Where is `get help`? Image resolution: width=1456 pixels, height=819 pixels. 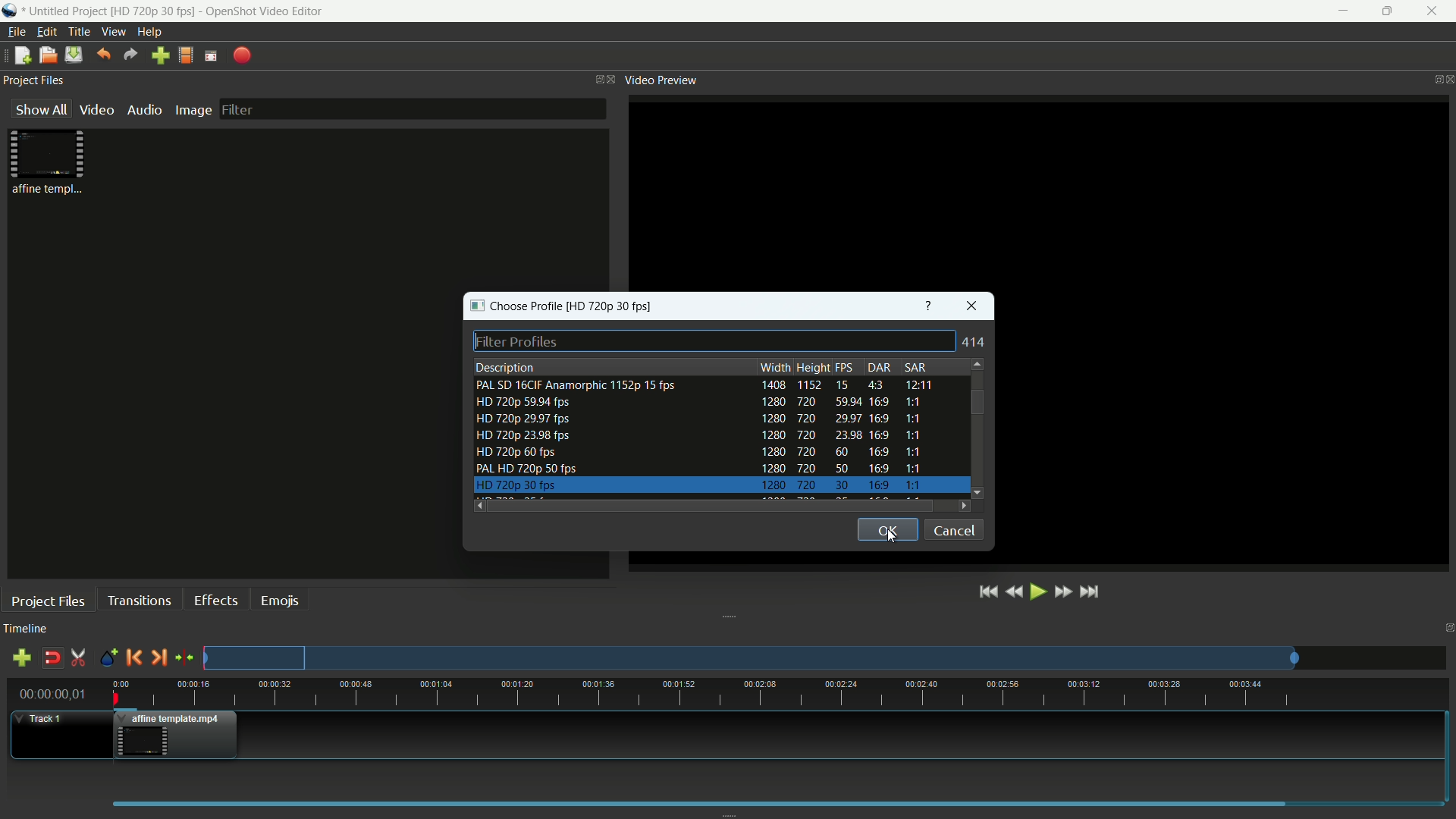
get help is located at coordinates (929, 308).